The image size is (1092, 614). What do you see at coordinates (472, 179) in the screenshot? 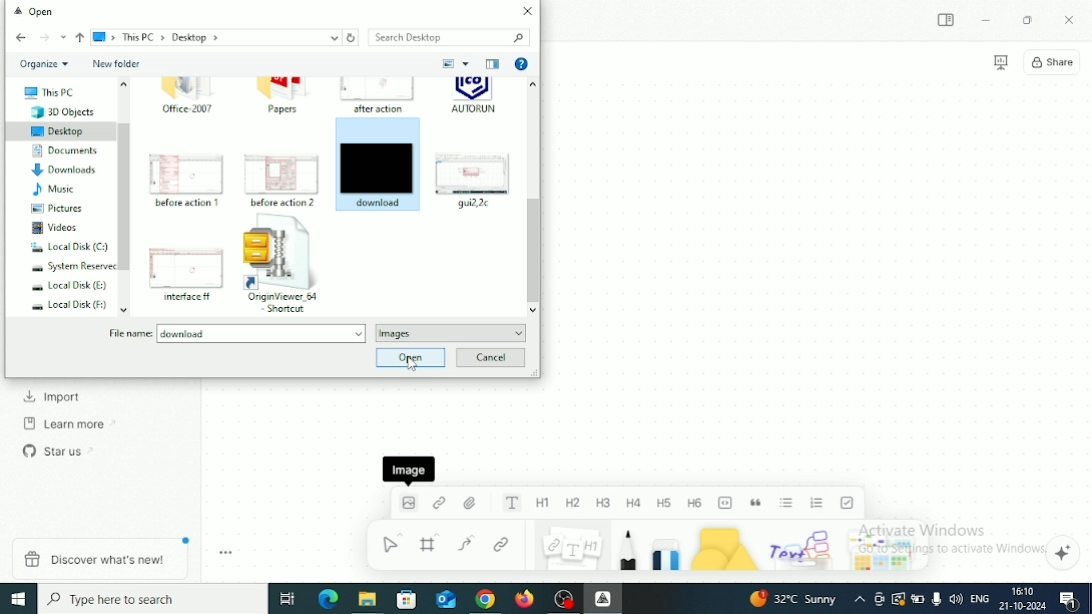
I see `gui2,2c` at bounding box center [472, 179].